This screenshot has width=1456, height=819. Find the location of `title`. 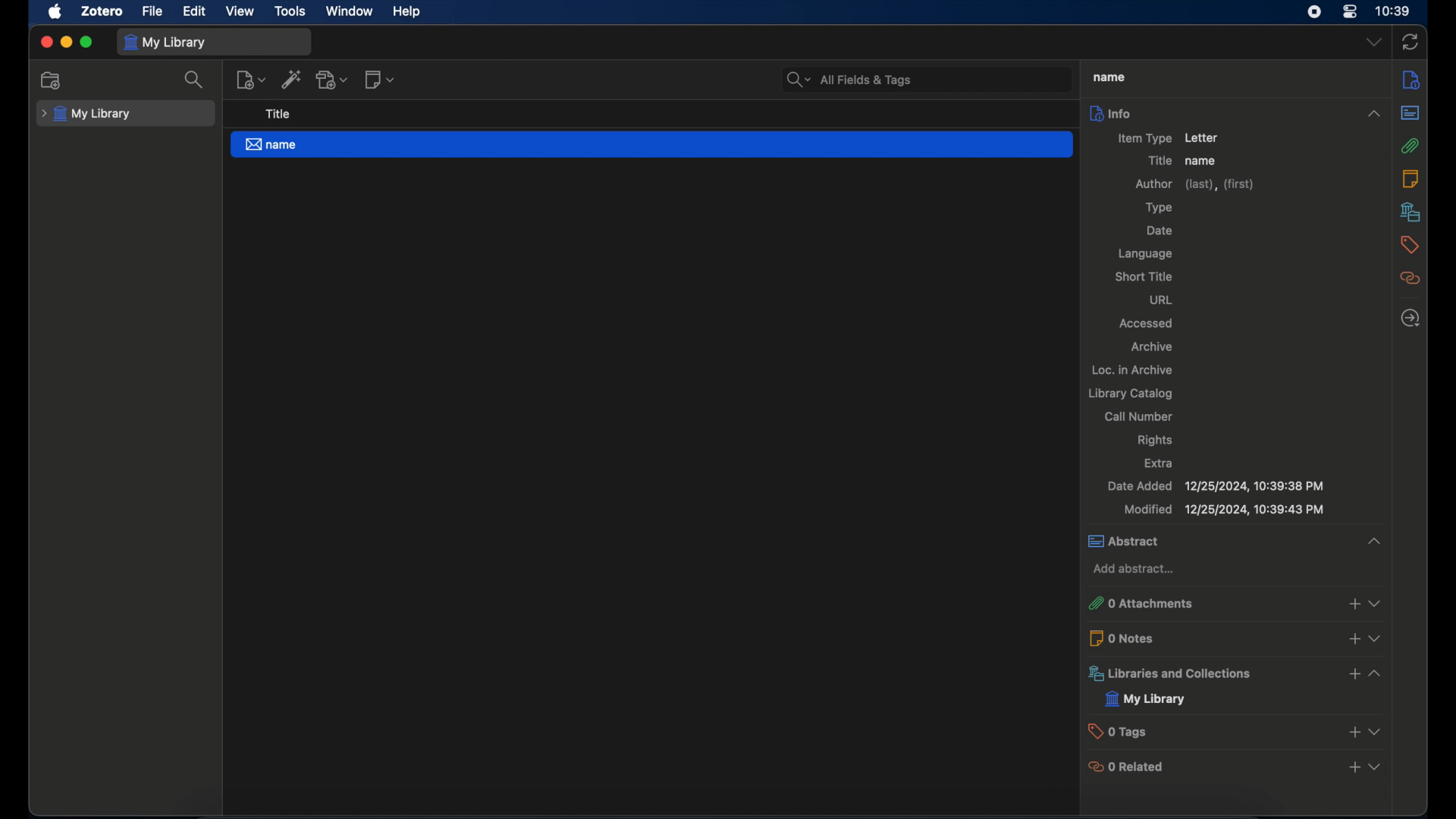

title is located at coordinates (1159, 161).